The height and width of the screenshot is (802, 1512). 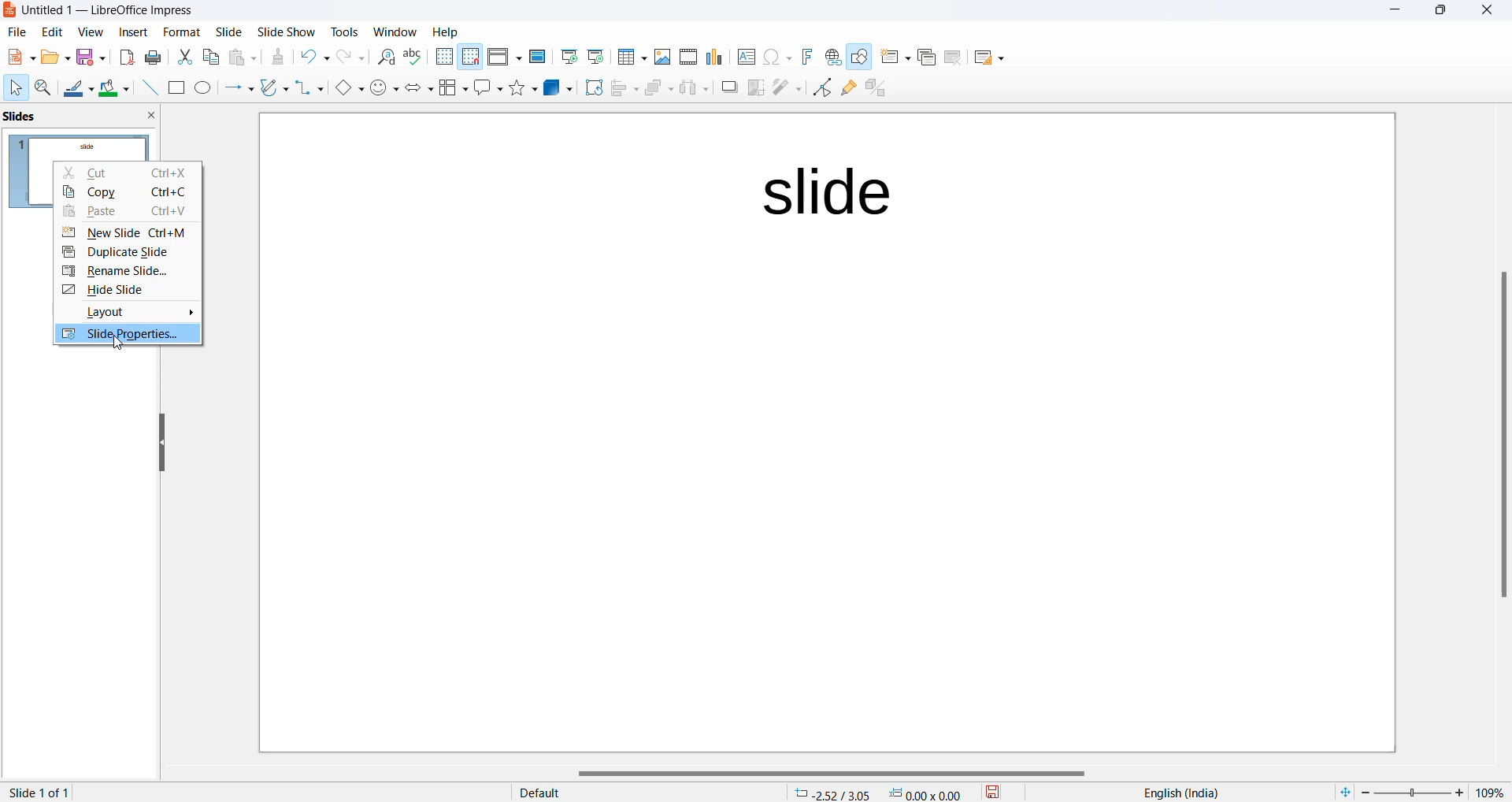 I want to click on zoom slider, so click(x=1412, y=791).